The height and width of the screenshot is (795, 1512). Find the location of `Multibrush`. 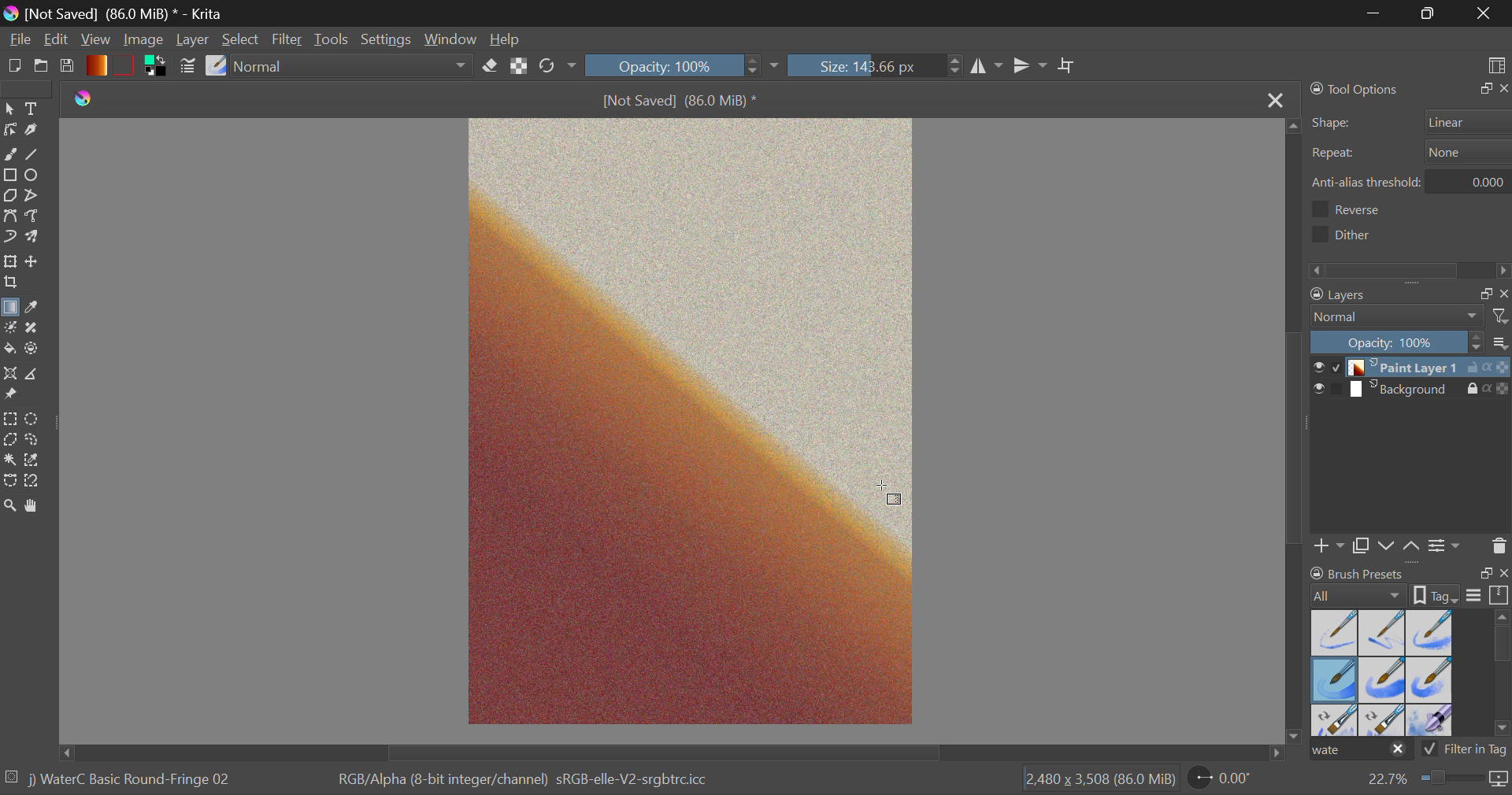

Multibrush is located at coordinates (34, 238).